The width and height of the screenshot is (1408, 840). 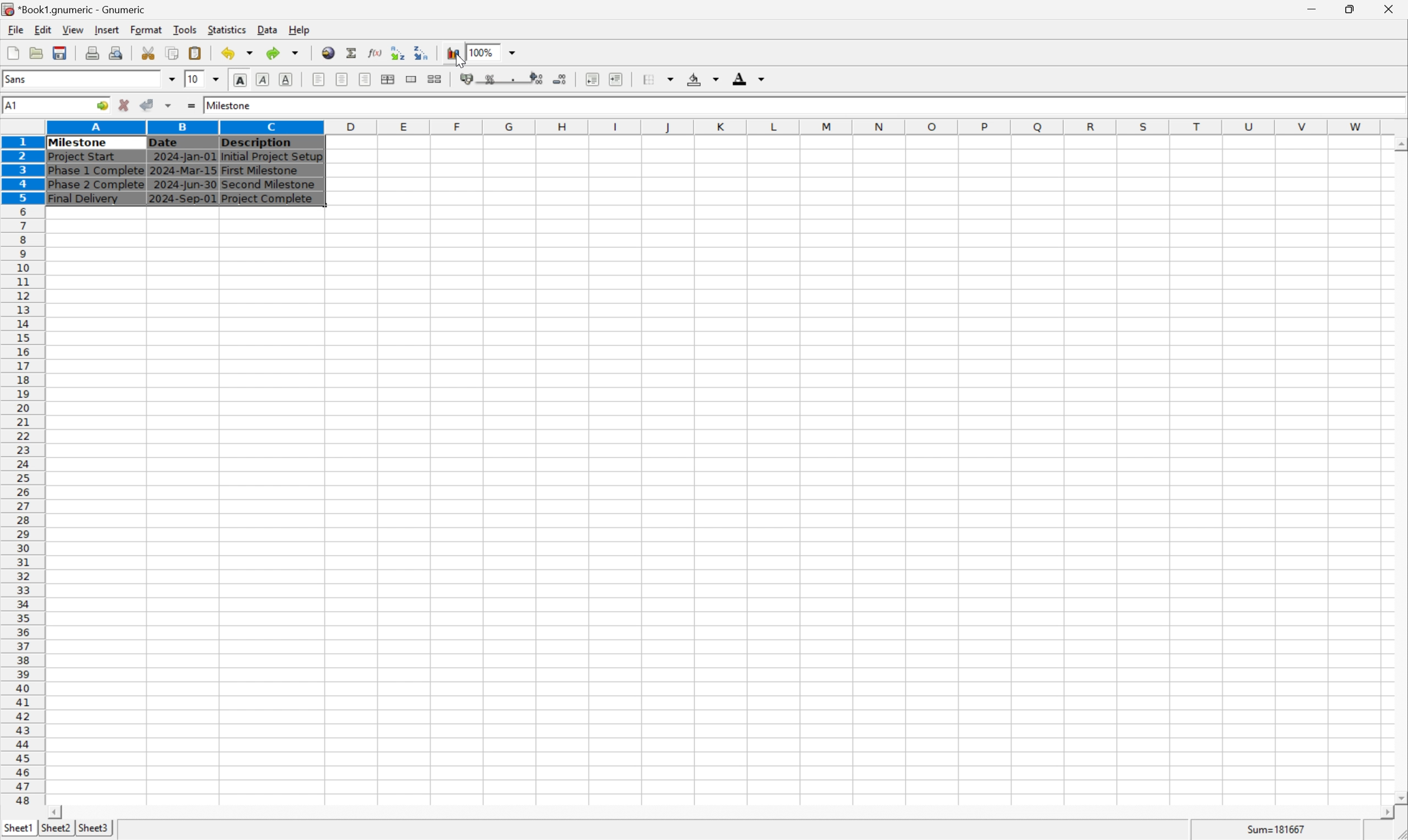 What do you see at coordinates (663, 79) in the screenshot?
I see `borders` at bounding box center [663, 79].